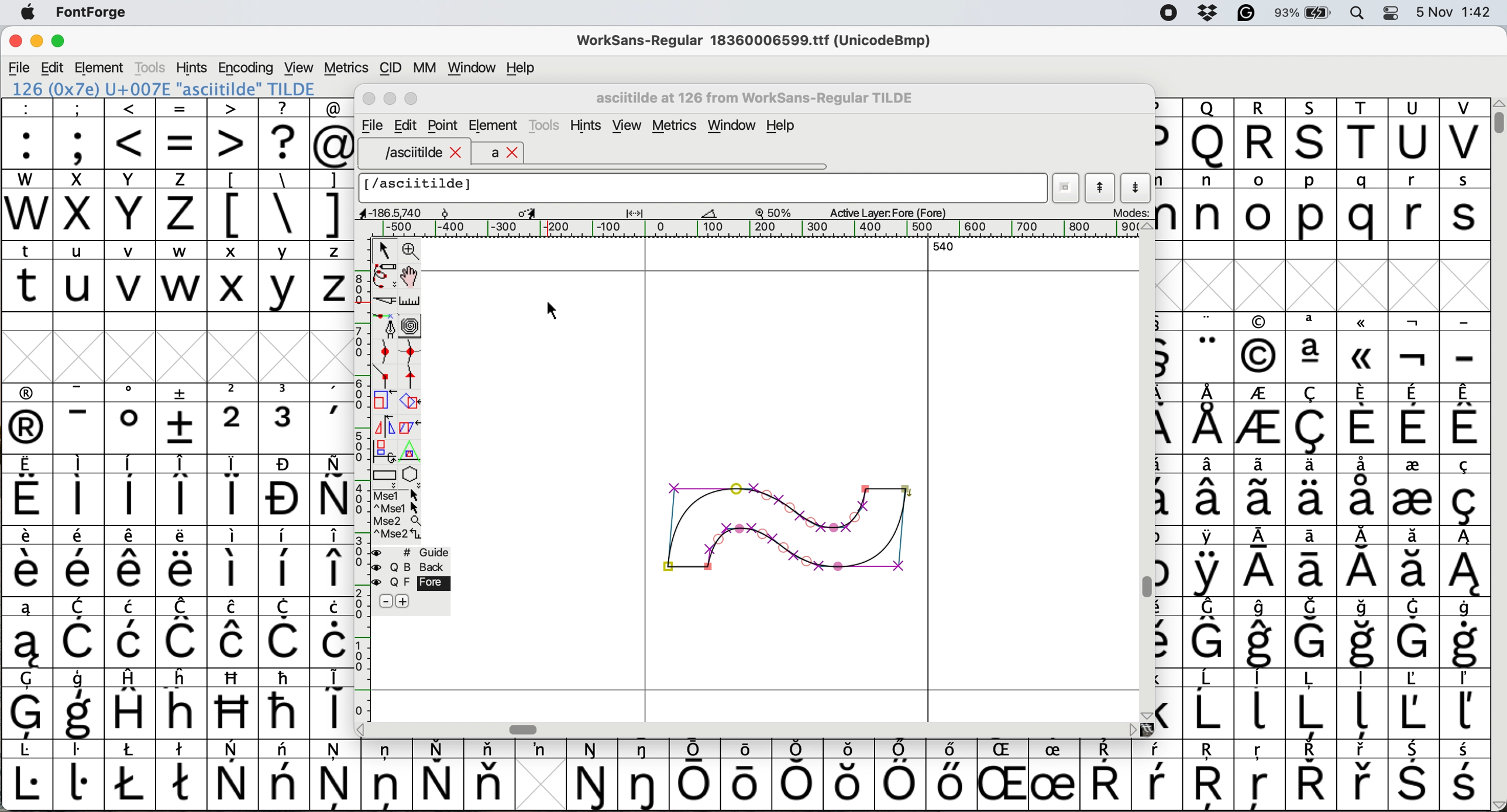 This screenshot has width=1507, height=812. Describe the element at coordinates (283, 205) in the screenshot. I see `\` at that location.